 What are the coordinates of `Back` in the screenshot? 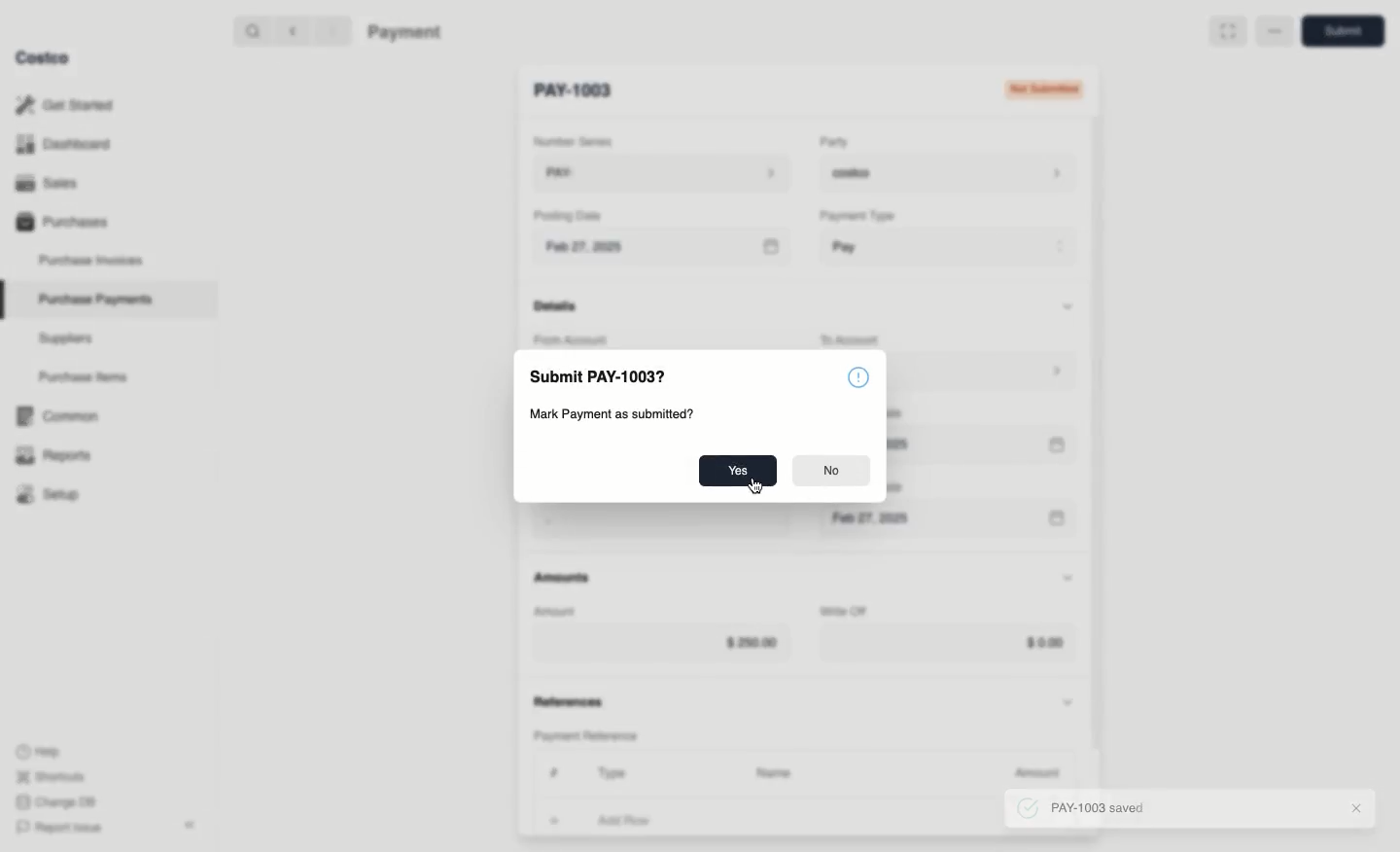 It's located at (293, 30).